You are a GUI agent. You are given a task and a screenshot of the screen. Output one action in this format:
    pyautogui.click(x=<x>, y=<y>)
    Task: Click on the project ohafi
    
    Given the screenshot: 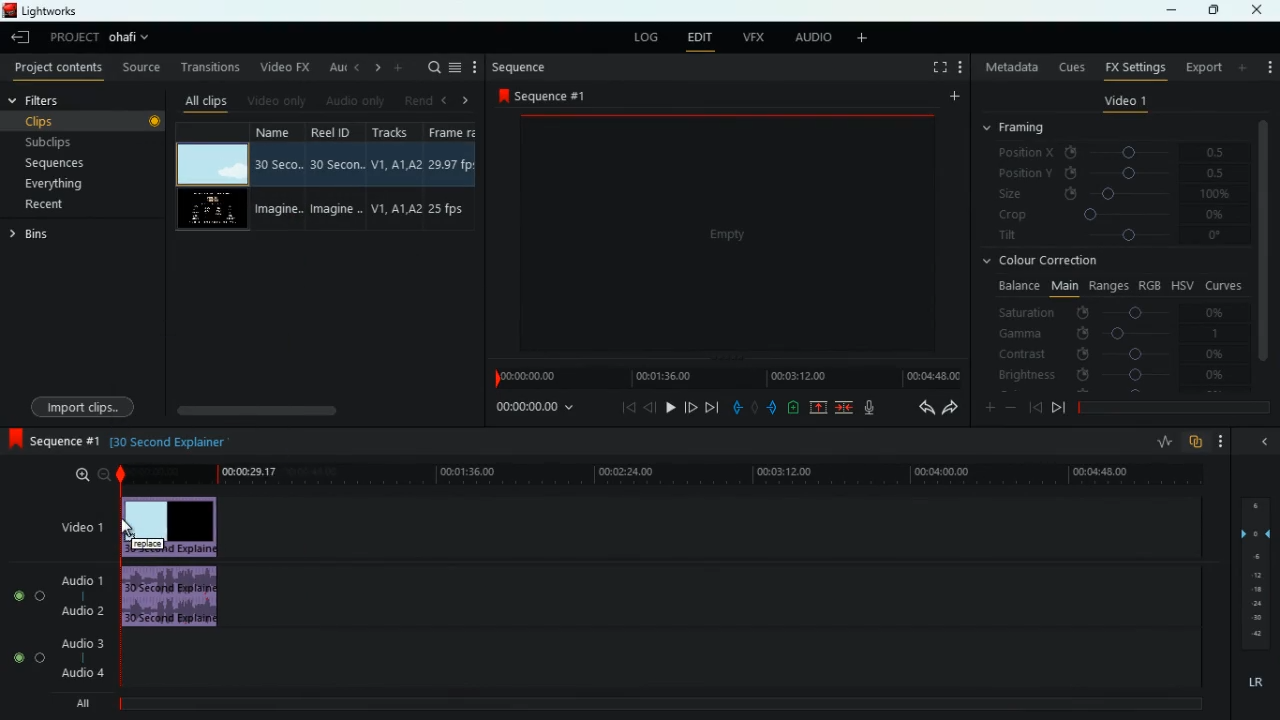 What is the action you would take?
    pyautogui.click(x=98, y=39)
    